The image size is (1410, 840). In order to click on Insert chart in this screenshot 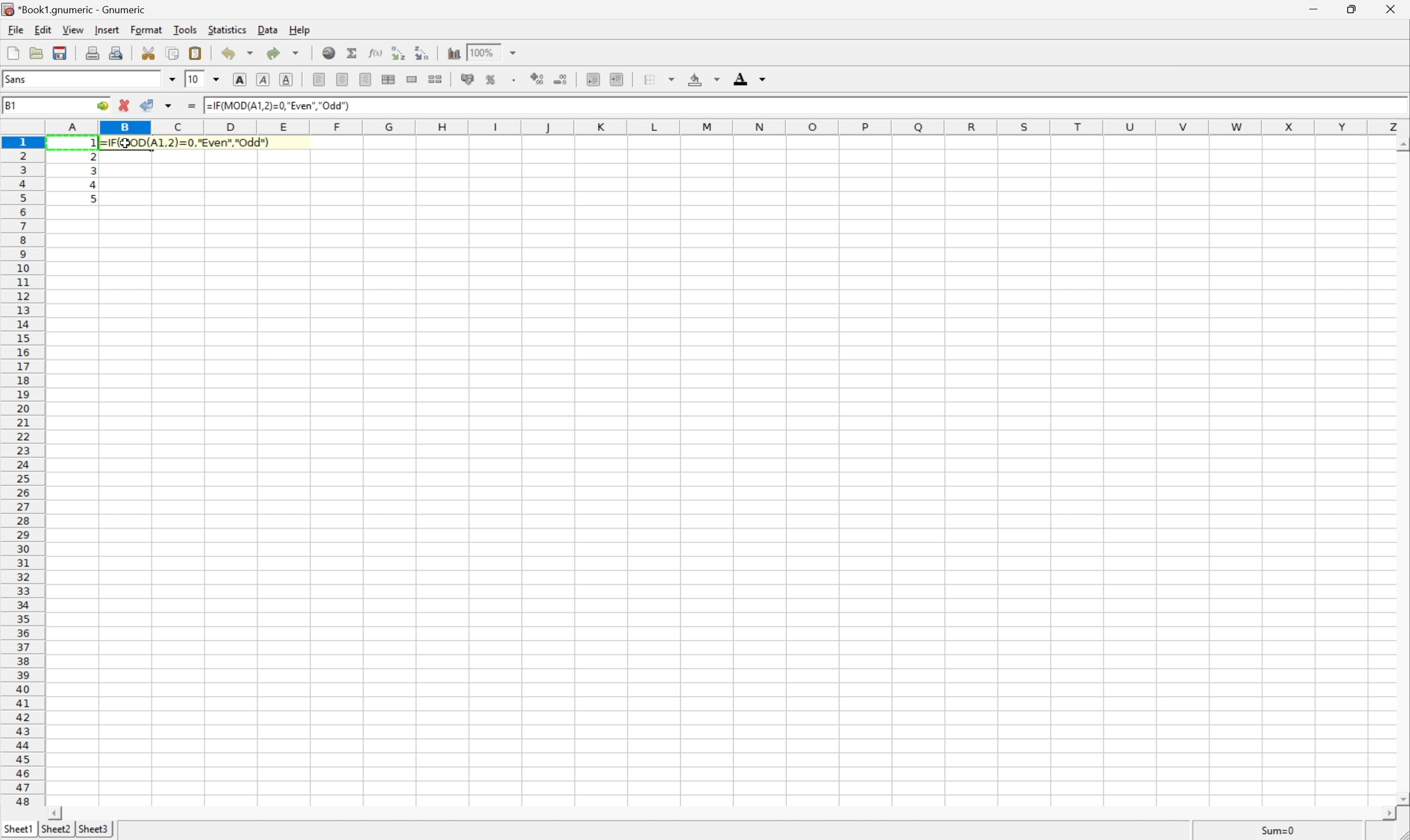, I will do `click(454, 52)`.